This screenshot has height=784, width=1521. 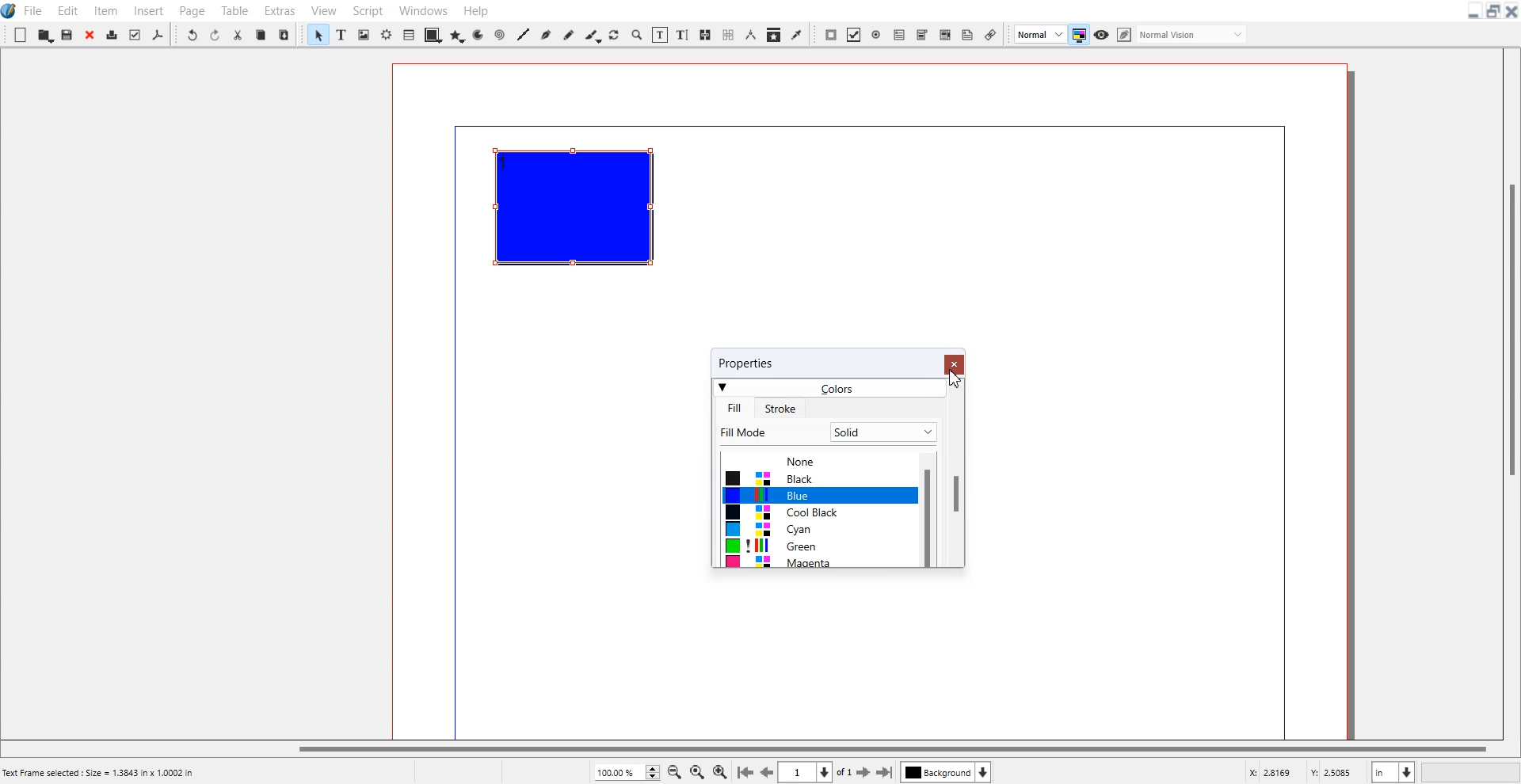 I want to click on Go to the preview mode, so click(x=768, y=772).